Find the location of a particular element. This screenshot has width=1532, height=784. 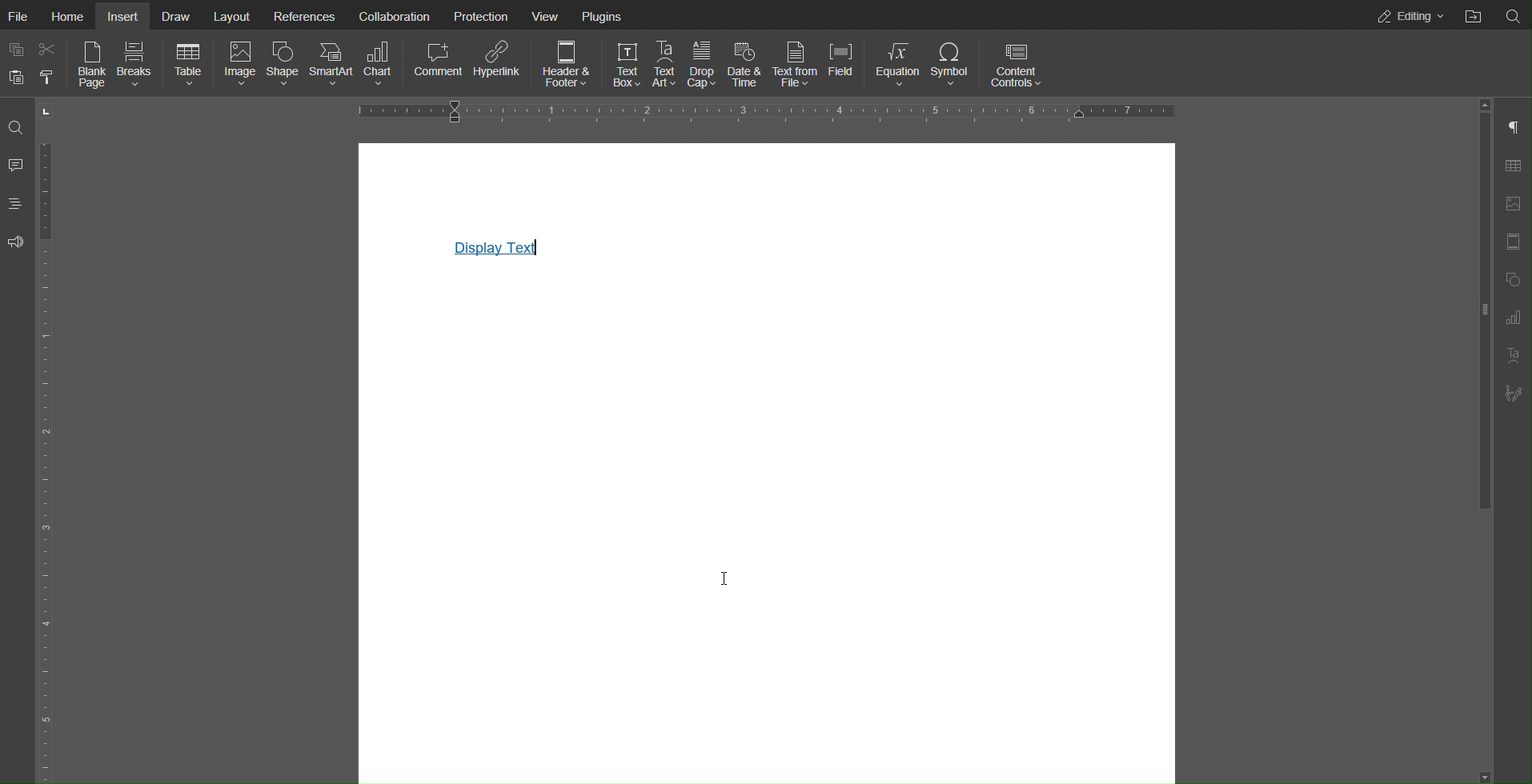

Search is located at coordinates (1517, 16).